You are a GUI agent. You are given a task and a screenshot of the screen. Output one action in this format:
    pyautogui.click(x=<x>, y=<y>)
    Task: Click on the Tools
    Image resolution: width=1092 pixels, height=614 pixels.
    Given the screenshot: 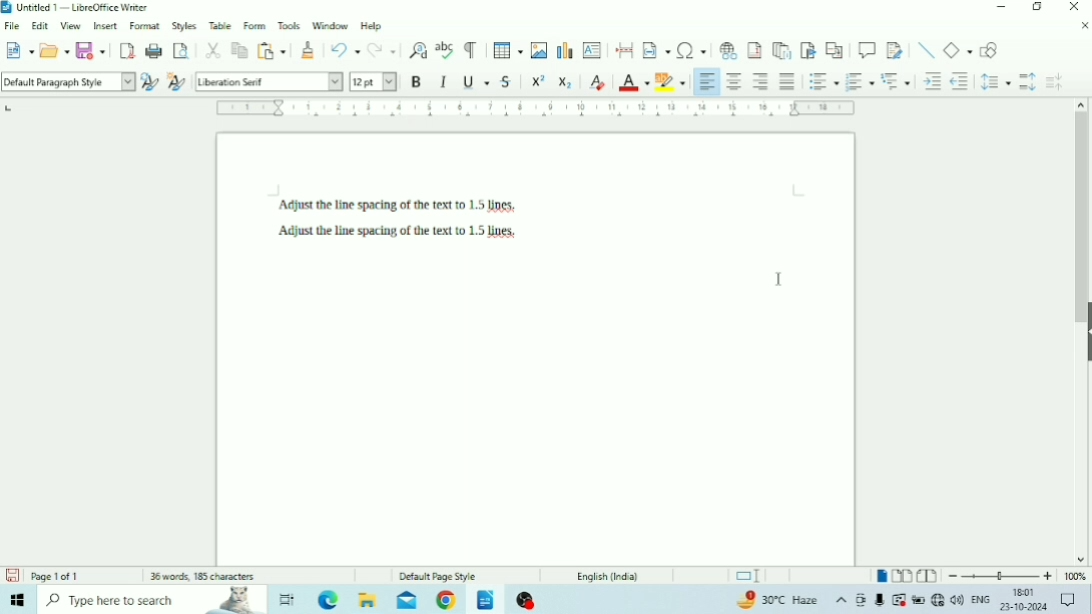 What is the action you would take?
    pyautogui.click(x=291, y=24)
    